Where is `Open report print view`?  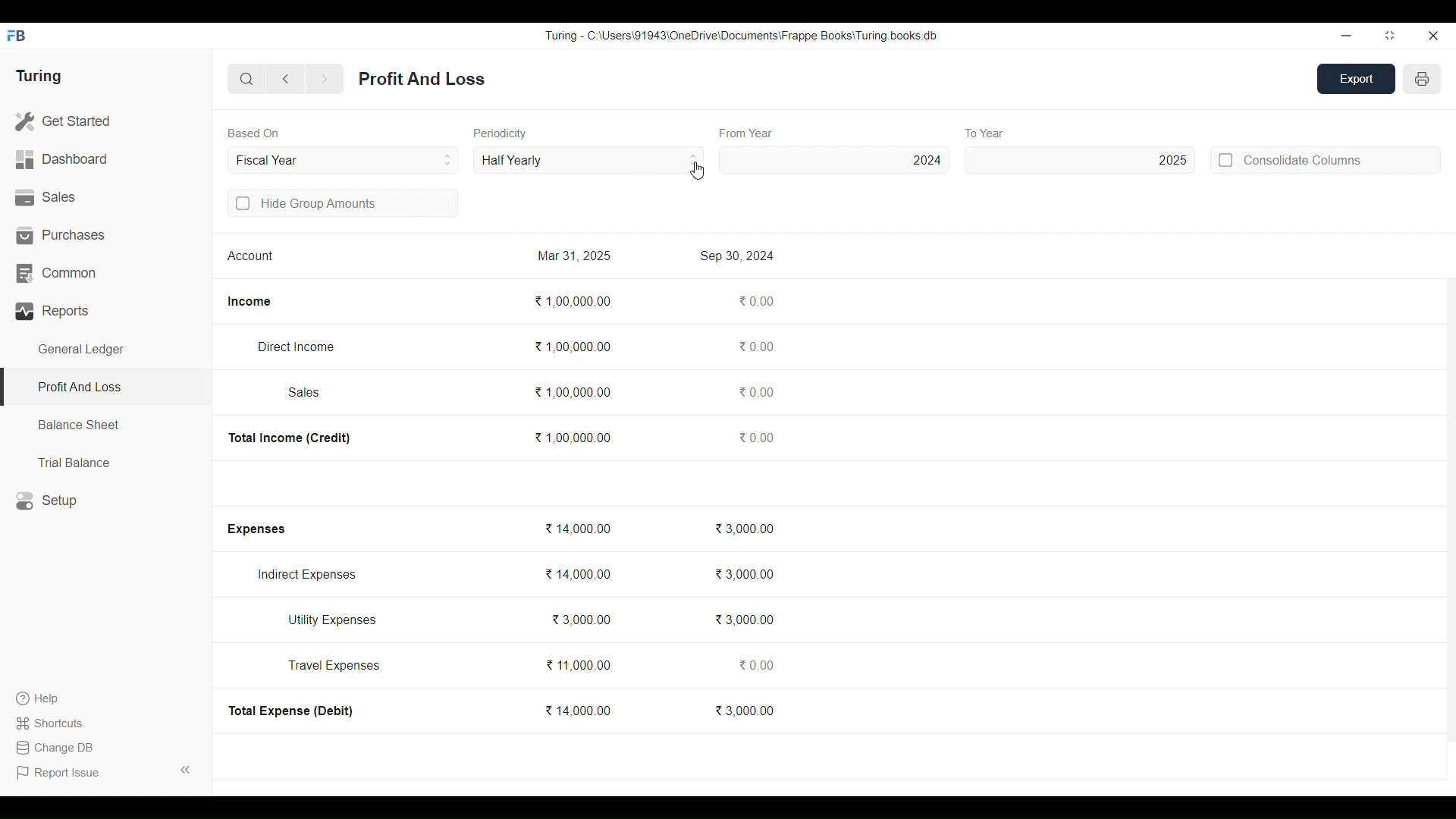
Open report print view is located at coordinates (1422, 79).